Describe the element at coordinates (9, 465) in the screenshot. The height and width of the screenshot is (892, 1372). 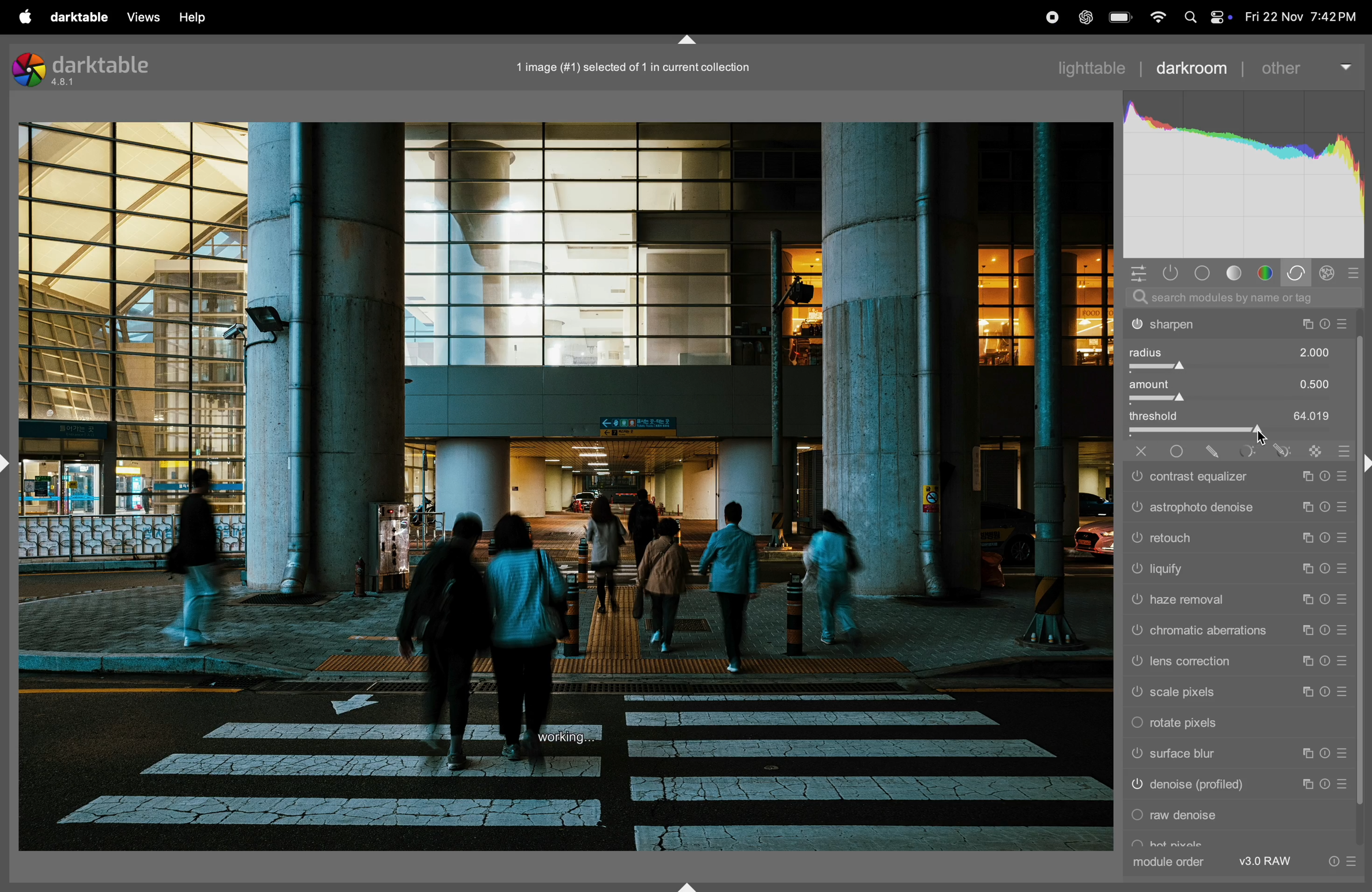
I see `shift+ctrl+l` at that location.